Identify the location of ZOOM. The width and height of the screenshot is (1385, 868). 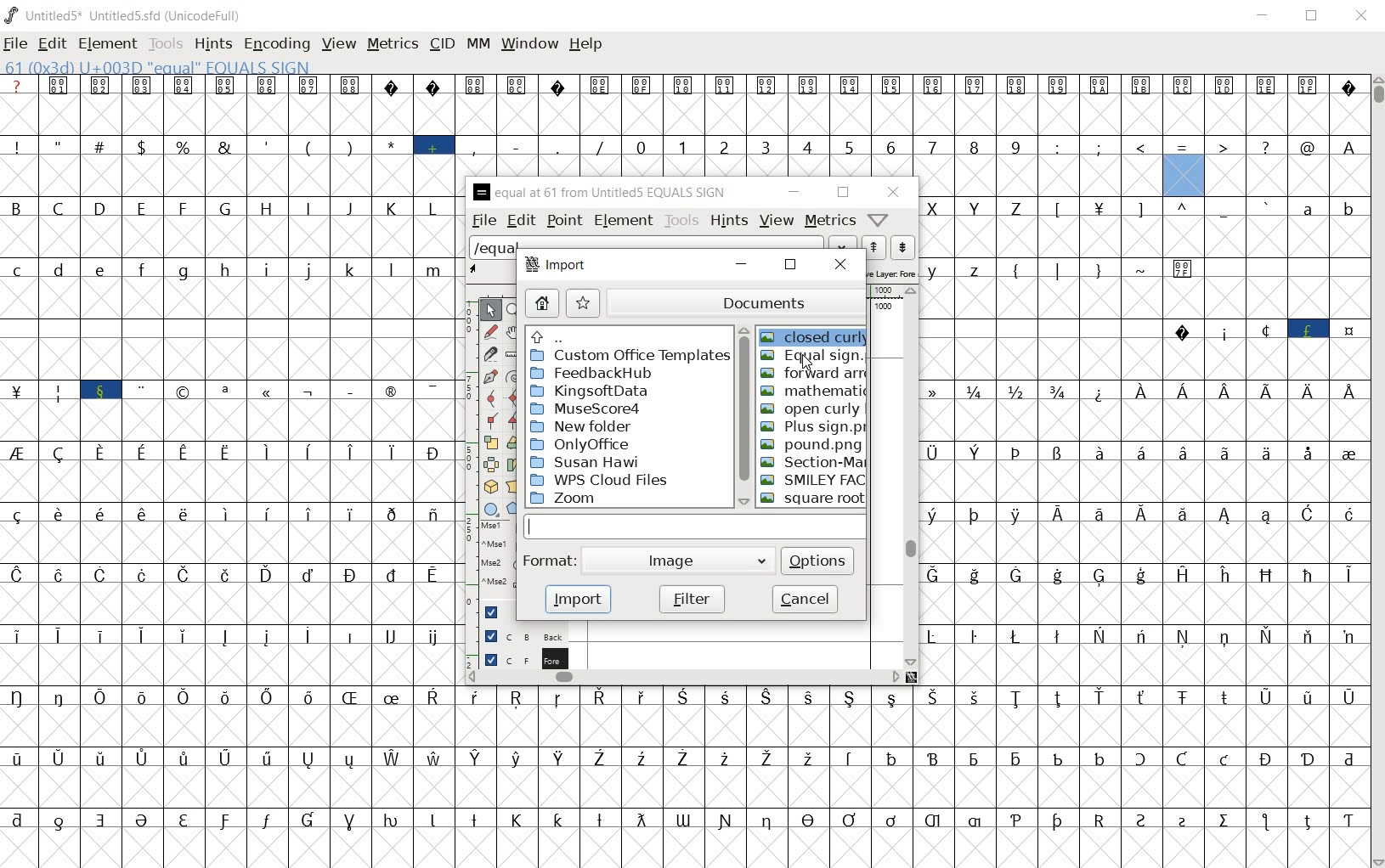
(628, 499).